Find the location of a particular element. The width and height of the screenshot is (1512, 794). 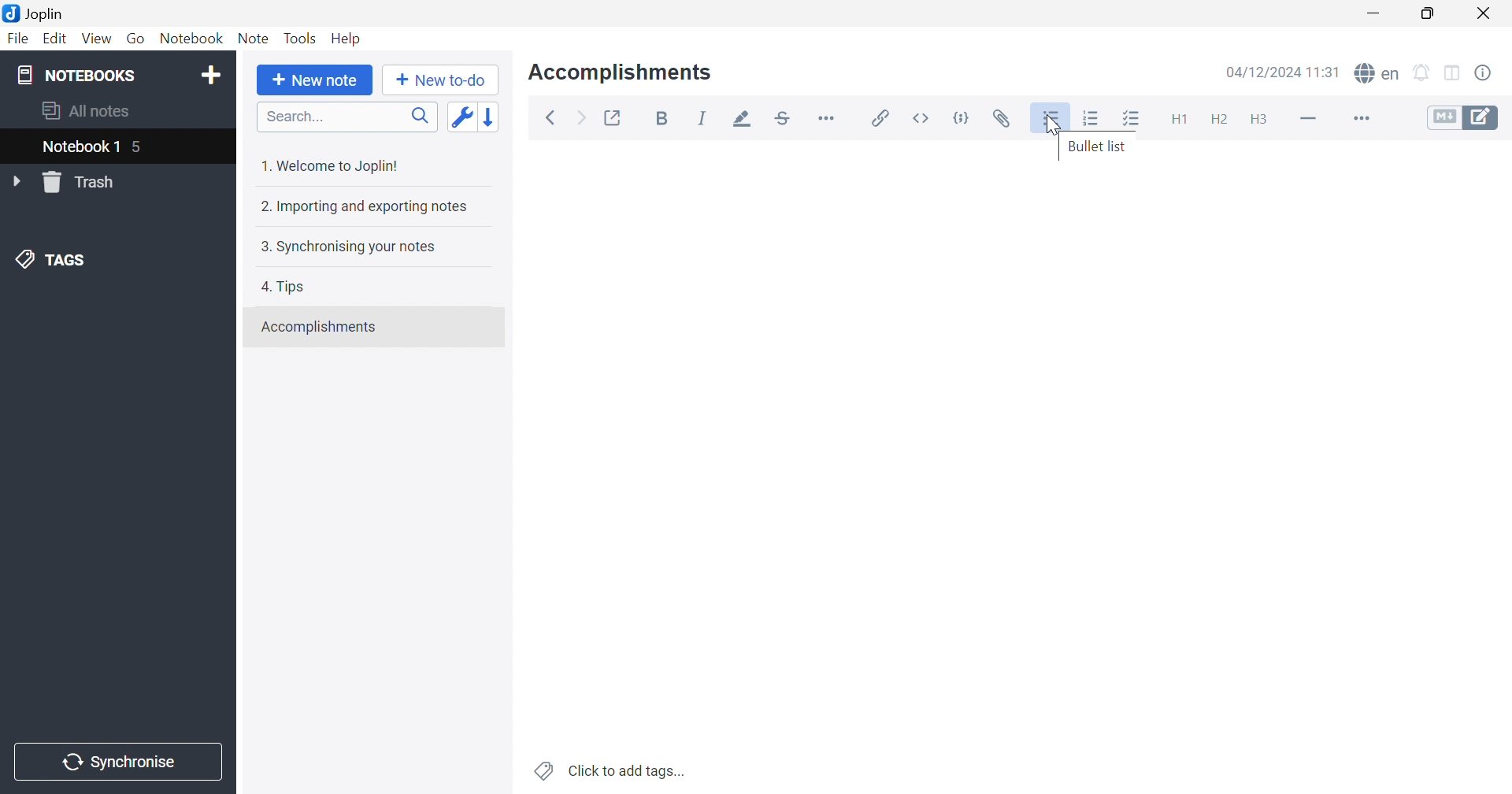

1. Welcome to Joplin! is located at coordinates (335, 165).